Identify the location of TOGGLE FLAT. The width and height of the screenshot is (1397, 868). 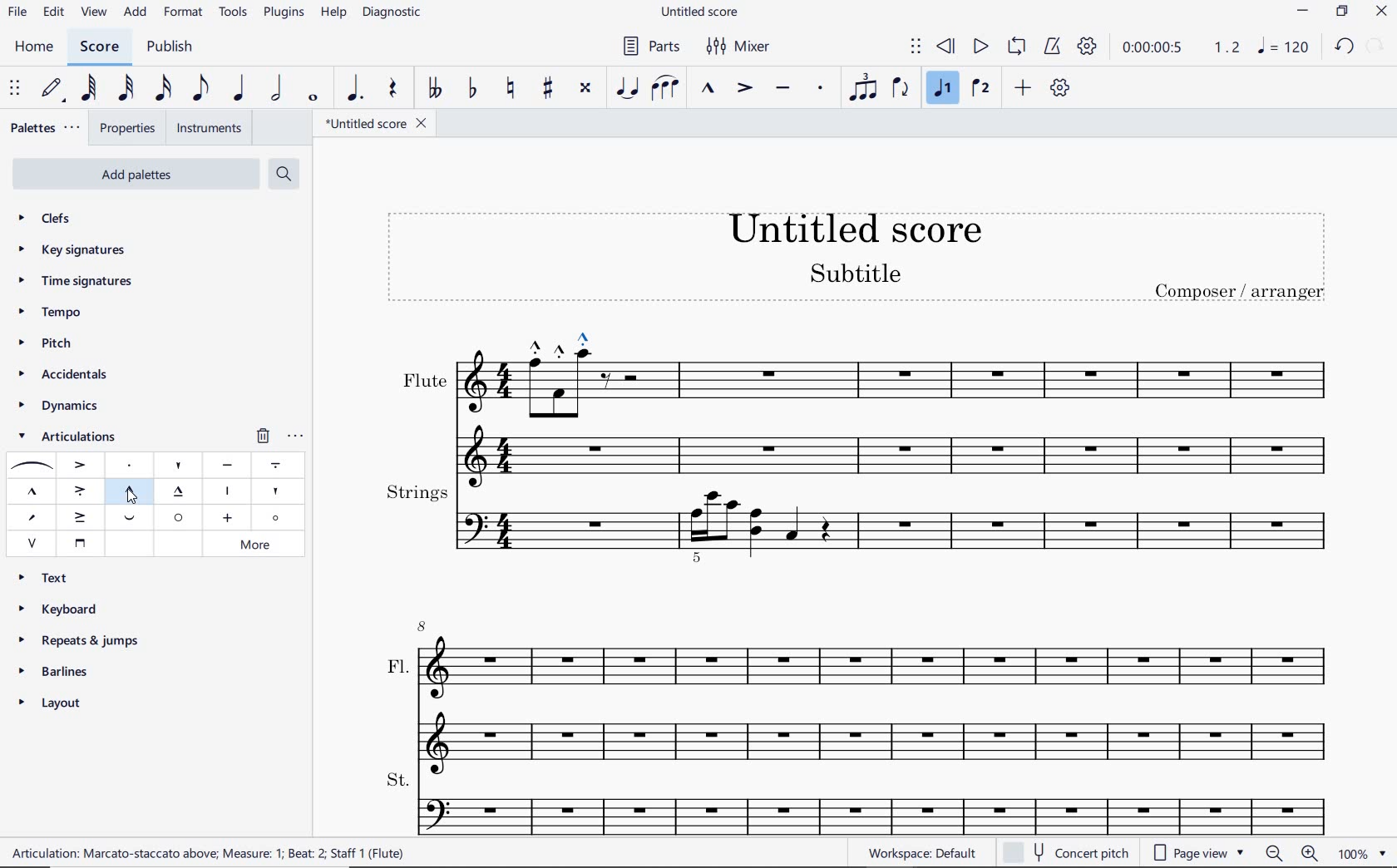
(474, 86).